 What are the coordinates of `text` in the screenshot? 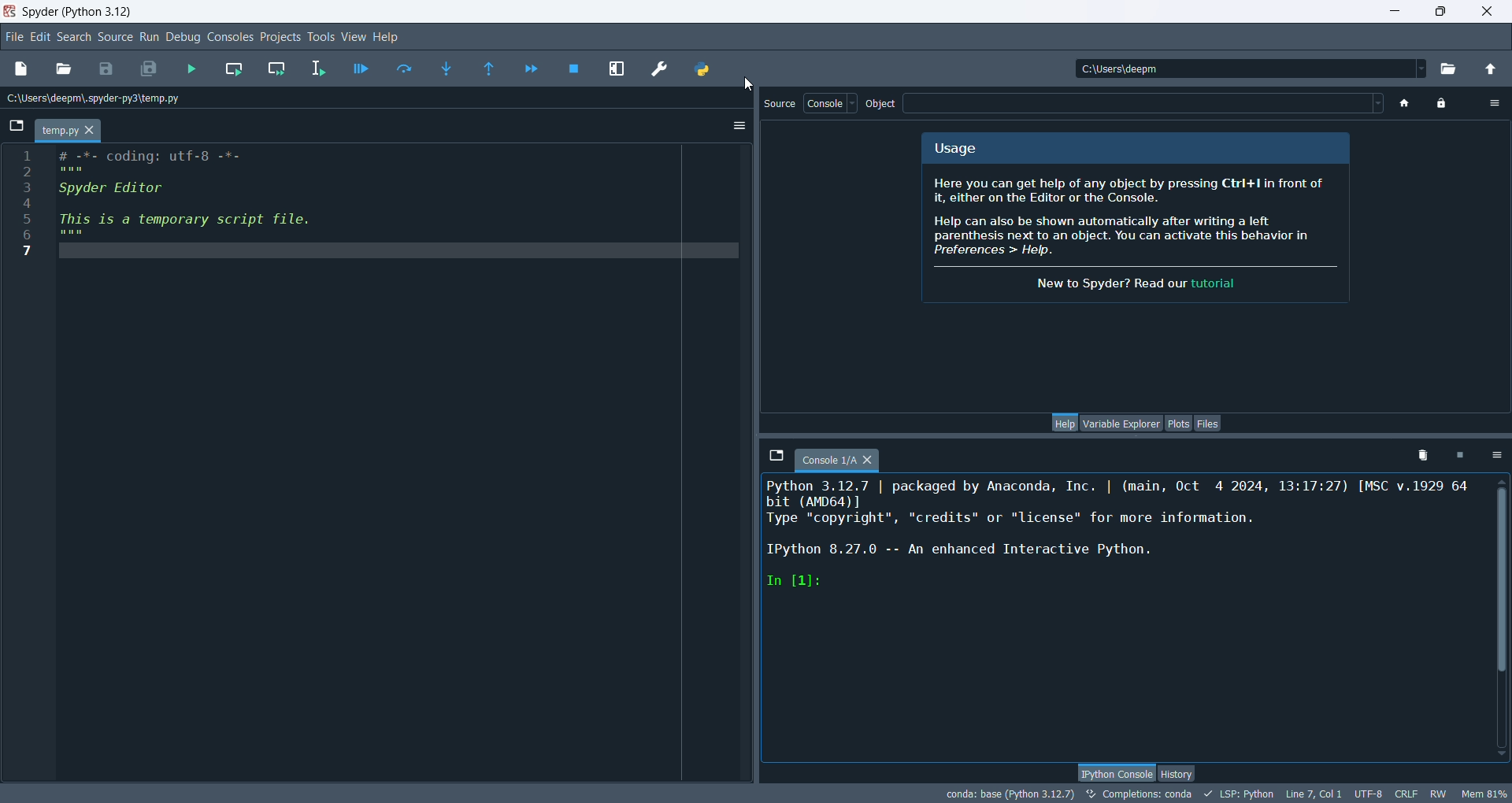 It's located at (1137, 216).